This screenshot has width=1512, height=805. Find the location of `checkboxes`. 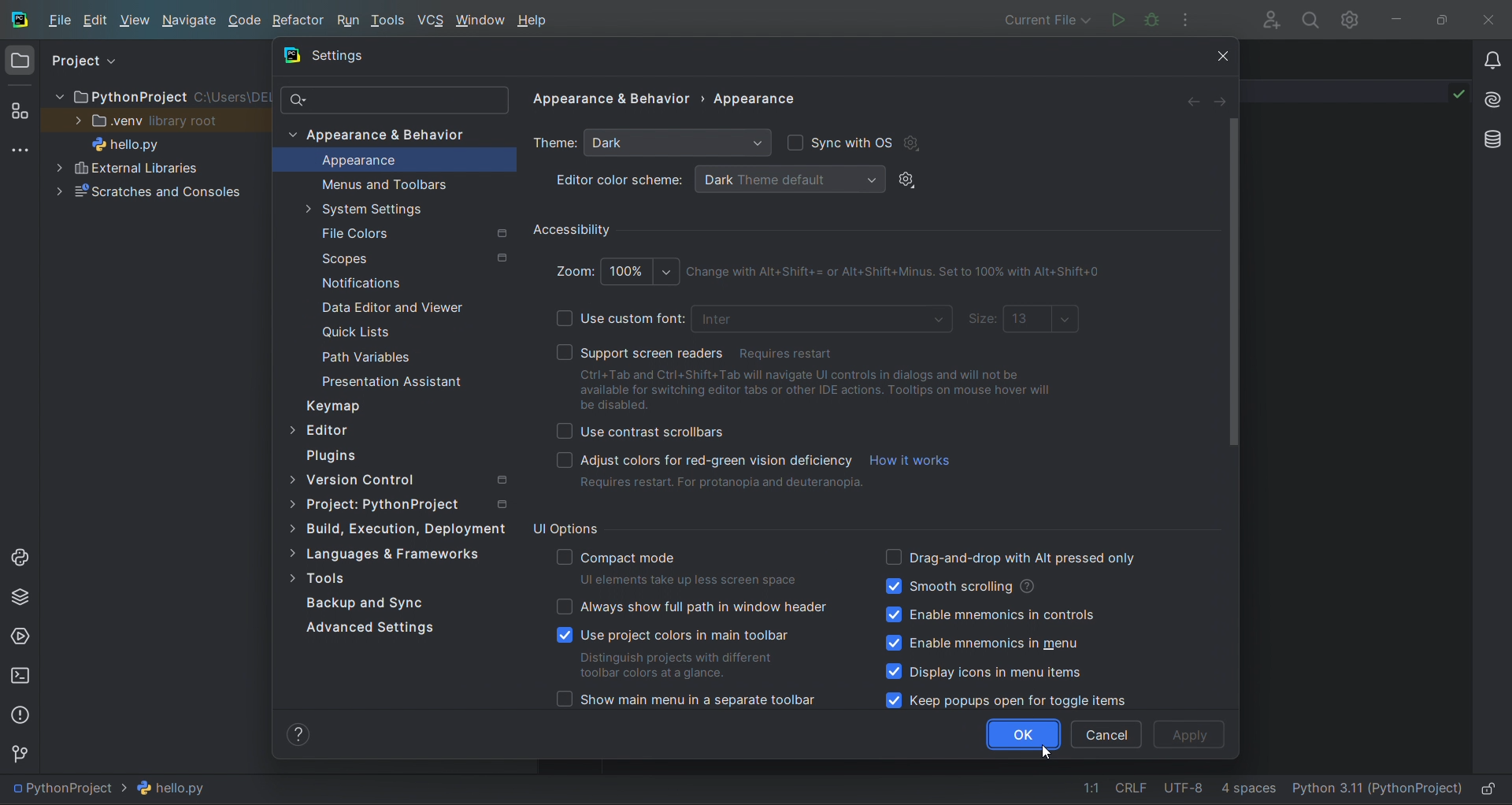

checkboxes is located at coordinates (561, 629).